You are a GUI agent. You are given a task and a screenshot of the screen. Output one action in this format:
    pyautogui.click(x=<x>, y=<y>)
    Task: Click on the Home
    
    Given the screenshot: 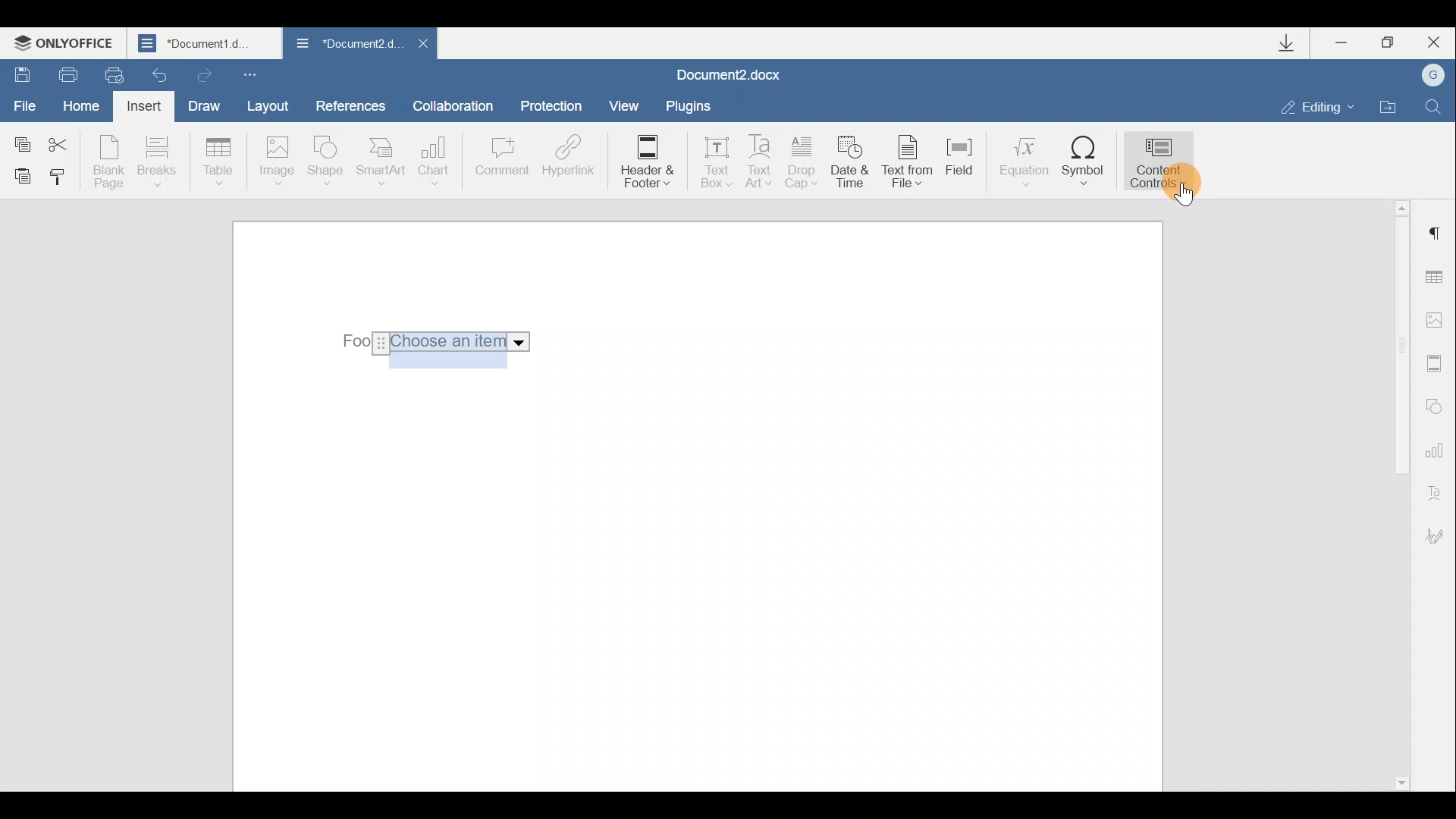 What is the action you would take?
    pyautogui.click(x=86, y=108)
    